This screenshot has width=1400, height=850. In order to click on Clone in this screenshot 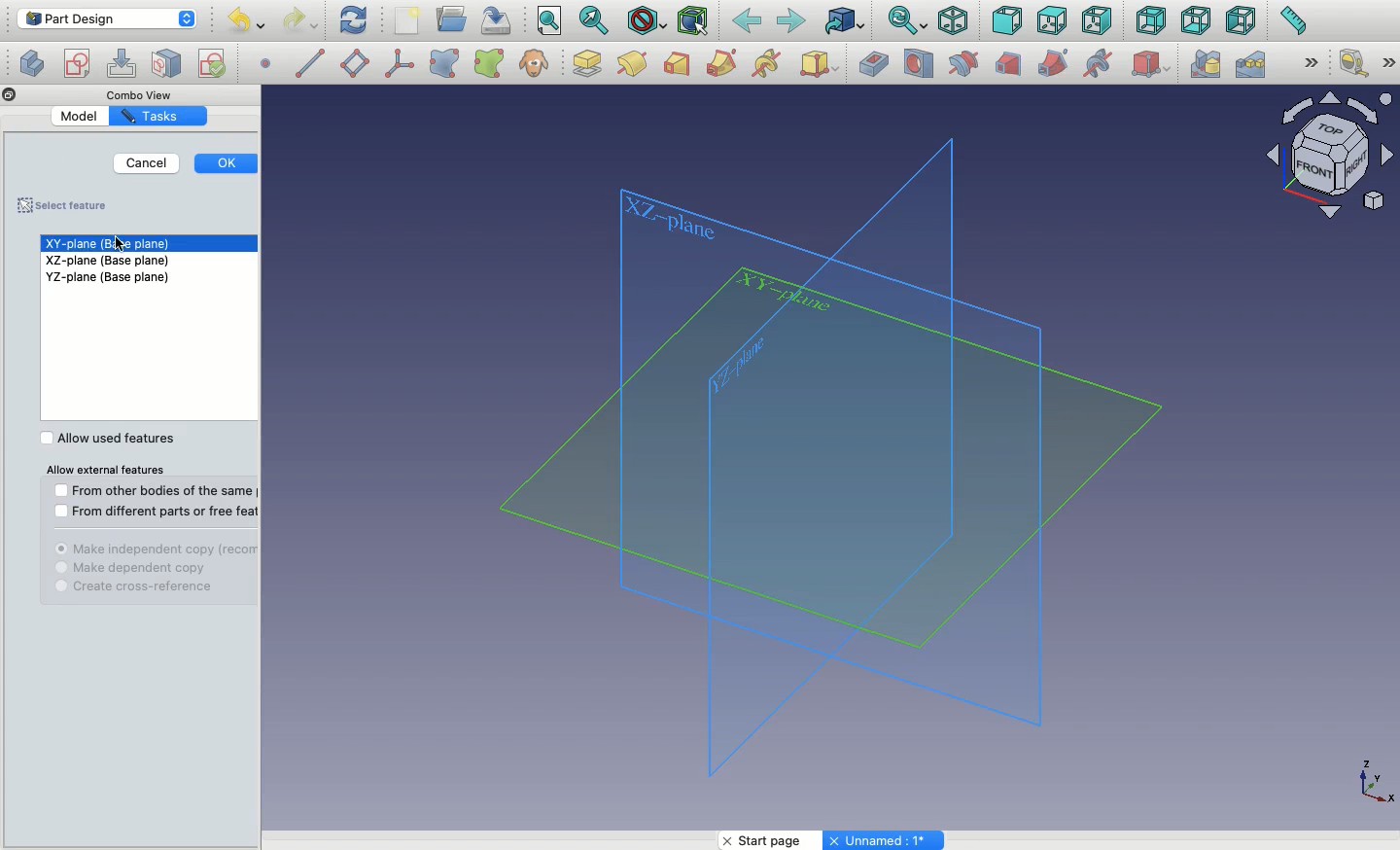, I will do `click(534, 65)`.